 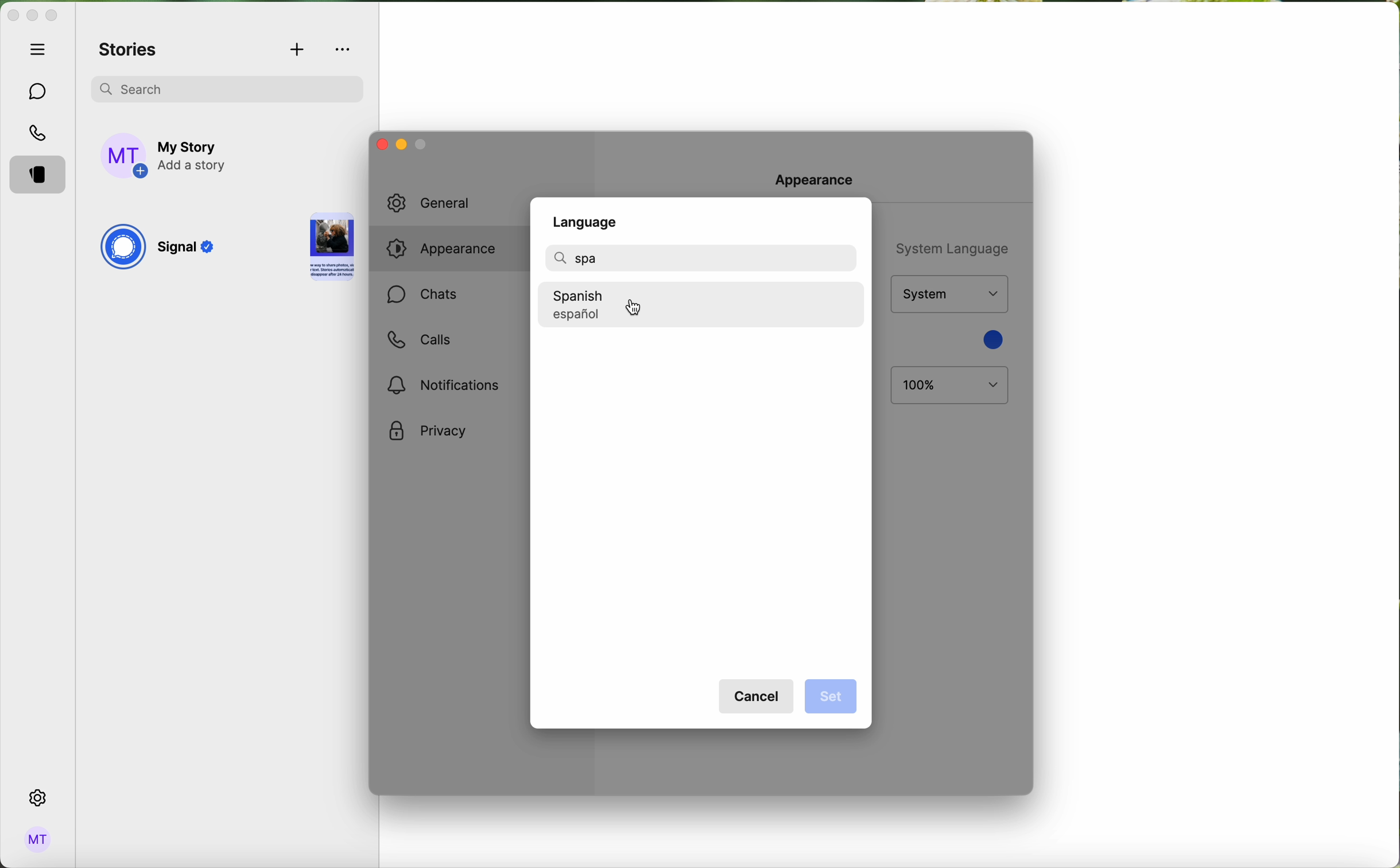 What do you see at coordinates (705, 304) in the screenshot?
I see `click on spanish language` at bounding box center [705, 304].